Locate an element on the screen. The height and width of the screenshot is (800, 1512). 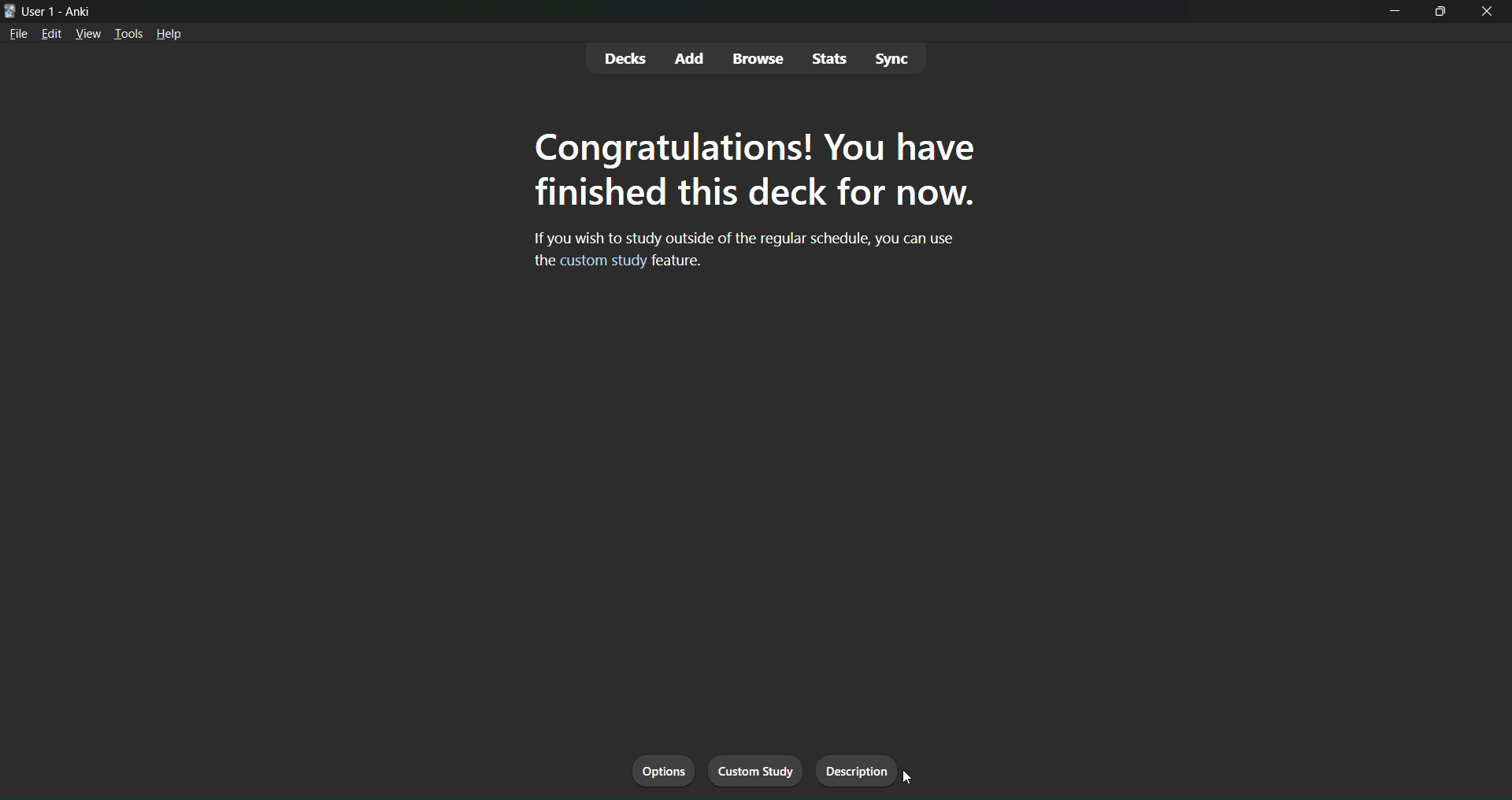
Sync is located at coordinates (895, 59).